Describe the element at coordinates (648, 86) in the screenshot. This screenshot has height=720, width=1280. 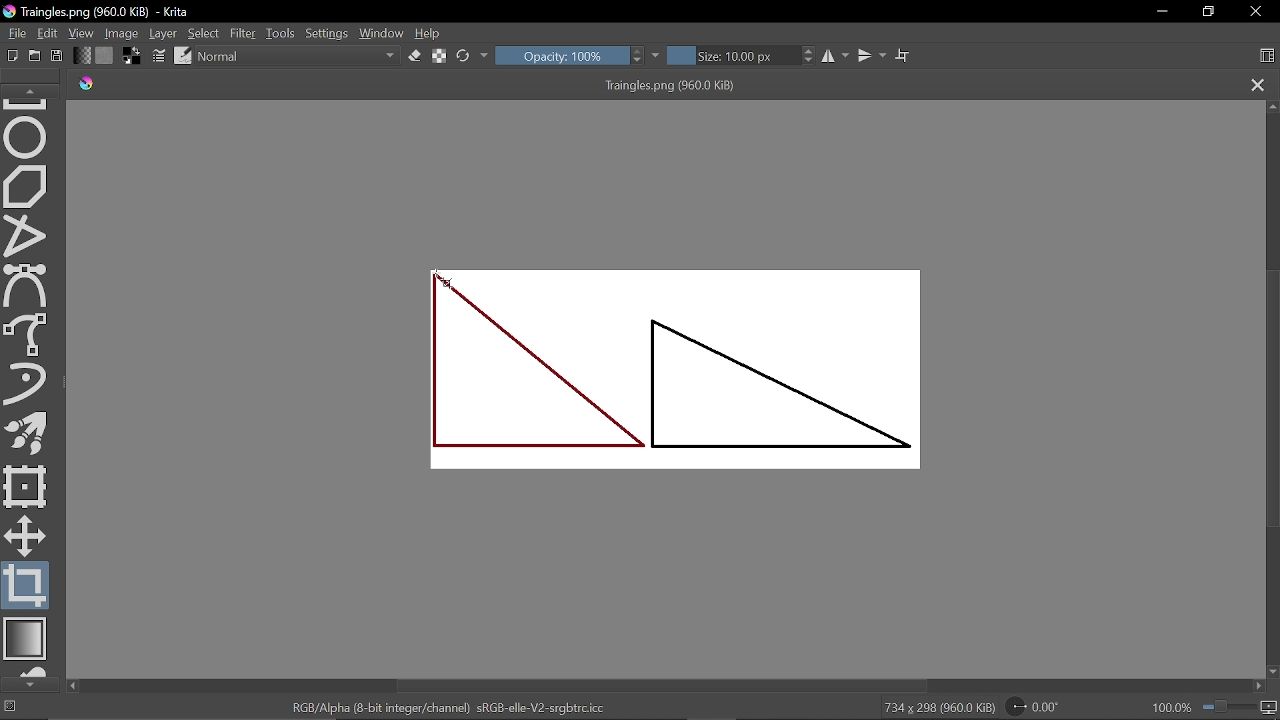
I see `Traingles.png (960.0 KiB)` at that location.